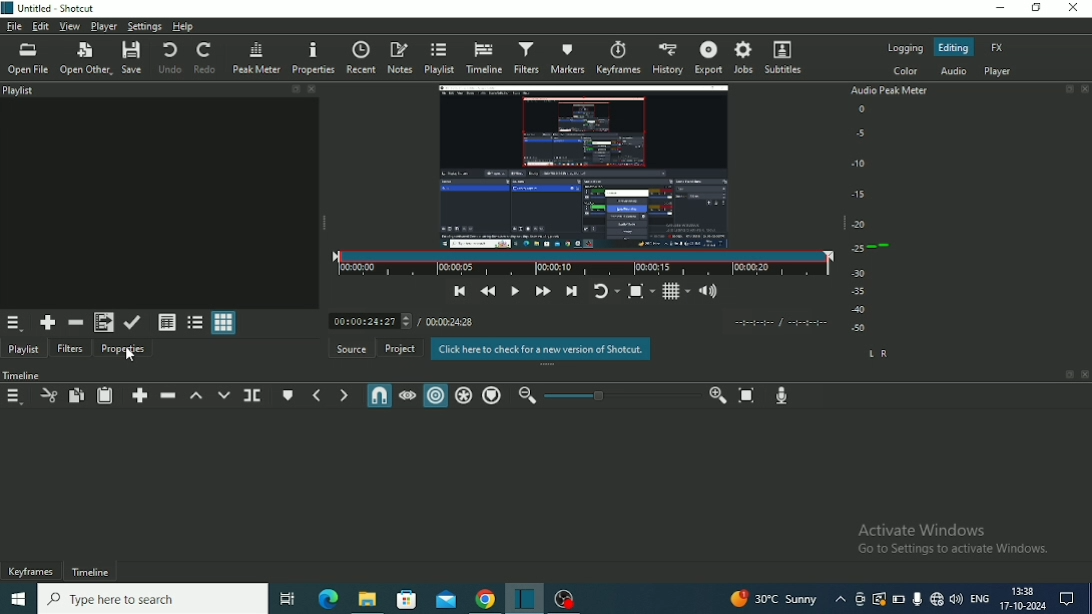  I want to click on Restore down, so click(1037, 7).